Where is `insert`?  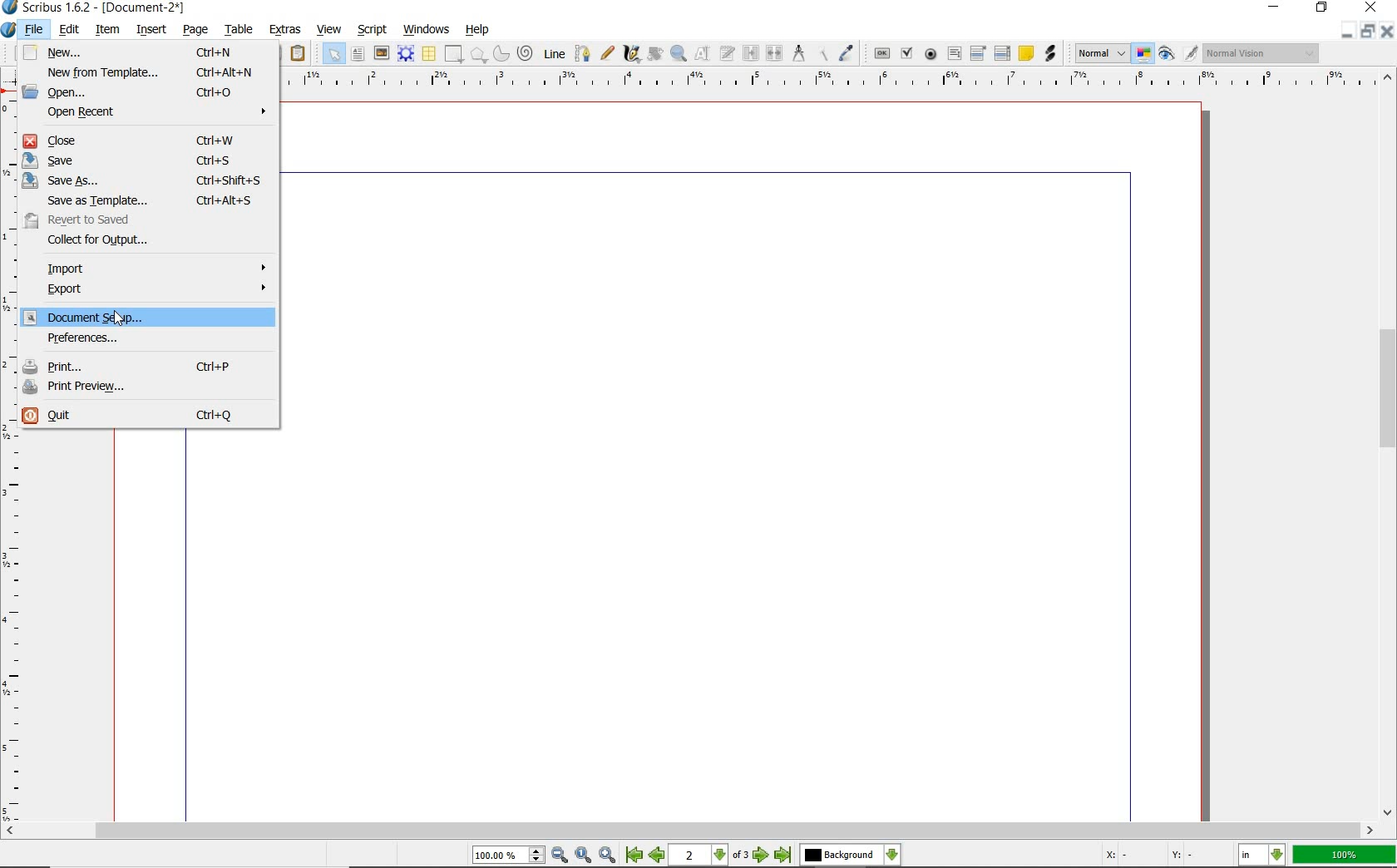 insert is located at coordinates (151, 30).